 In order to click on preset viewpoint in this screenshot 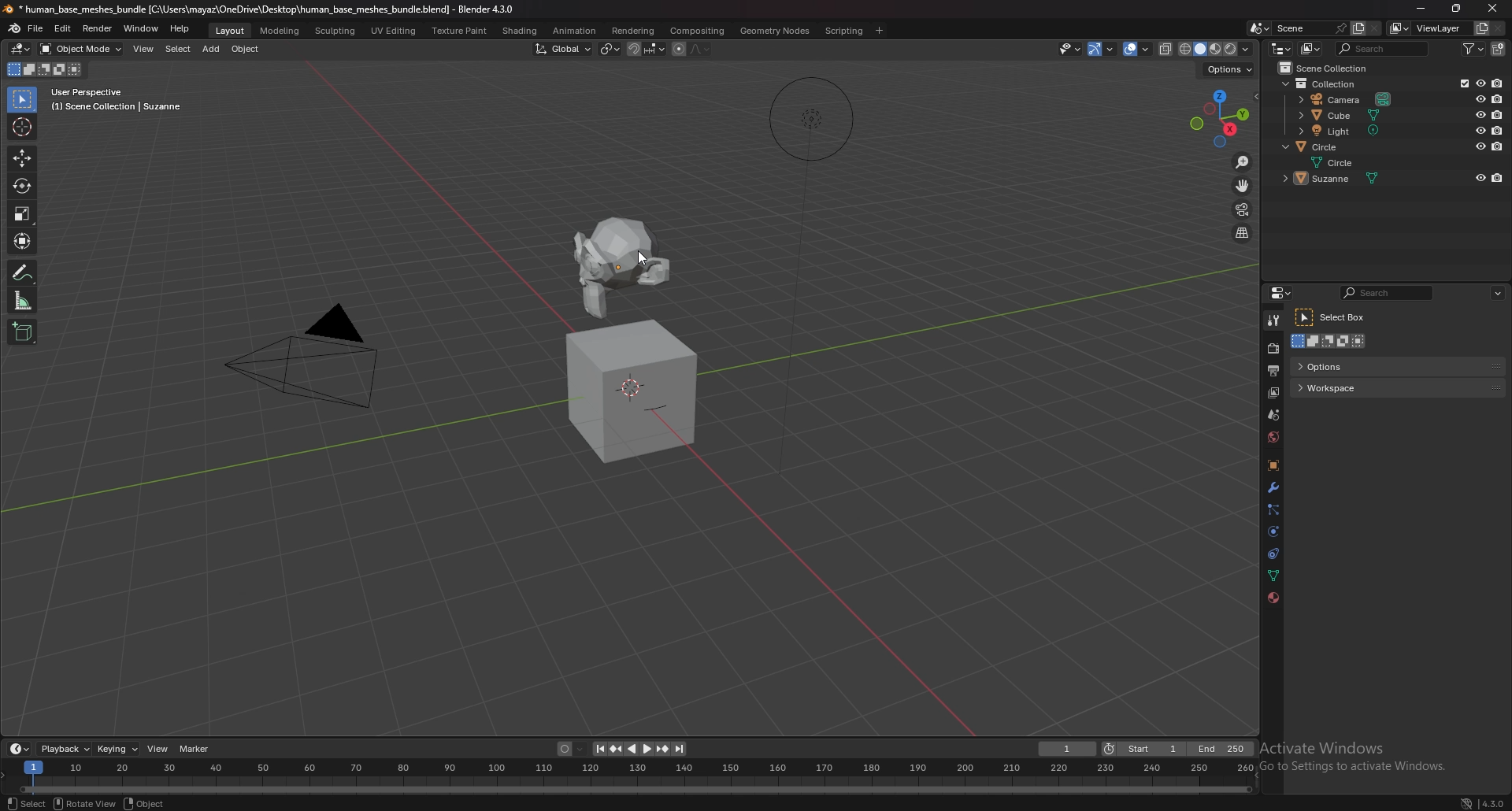, I will do `click(1222, 118)`.